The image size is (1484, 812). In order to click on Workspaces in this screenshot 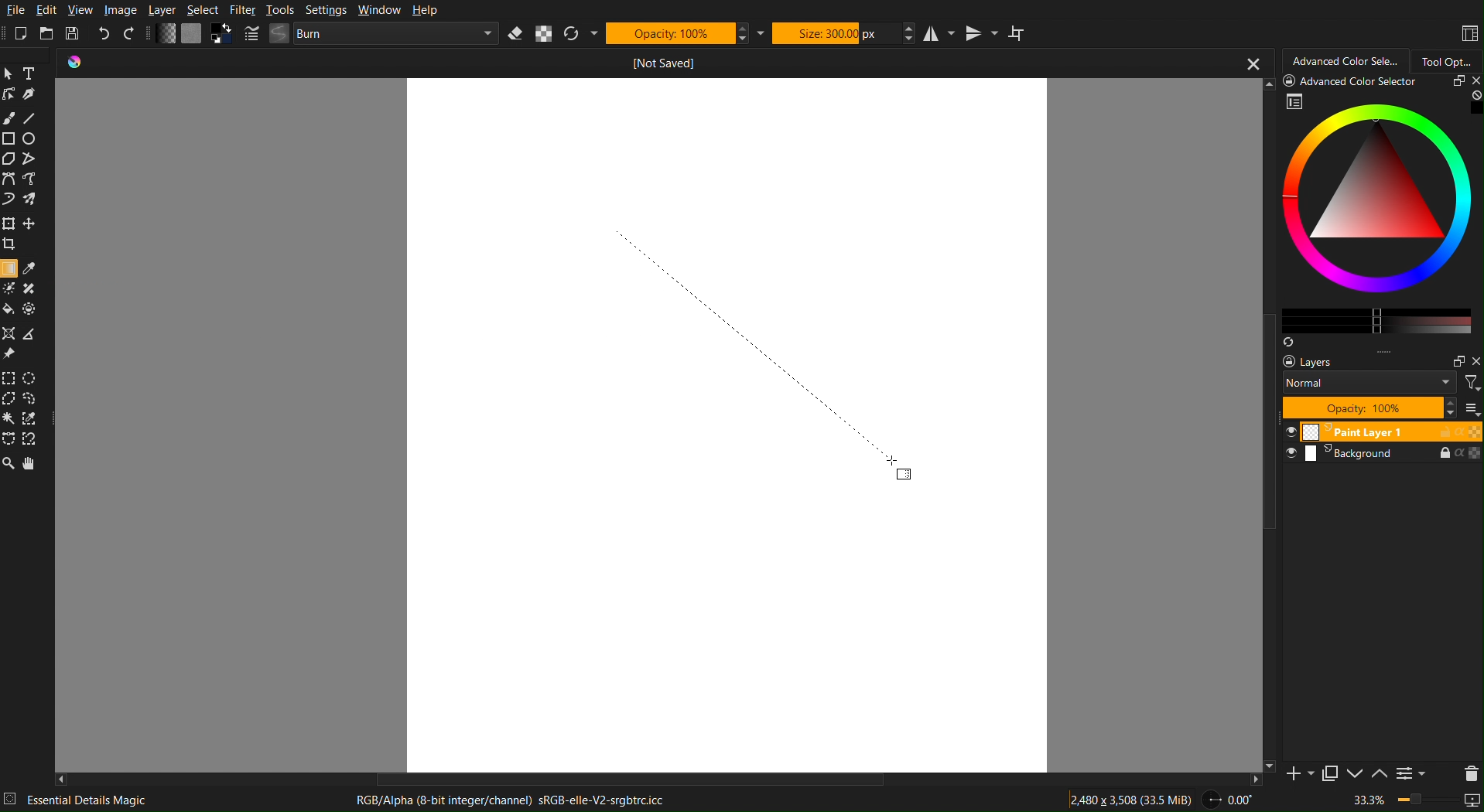, I will do `click(1469, 34)`.